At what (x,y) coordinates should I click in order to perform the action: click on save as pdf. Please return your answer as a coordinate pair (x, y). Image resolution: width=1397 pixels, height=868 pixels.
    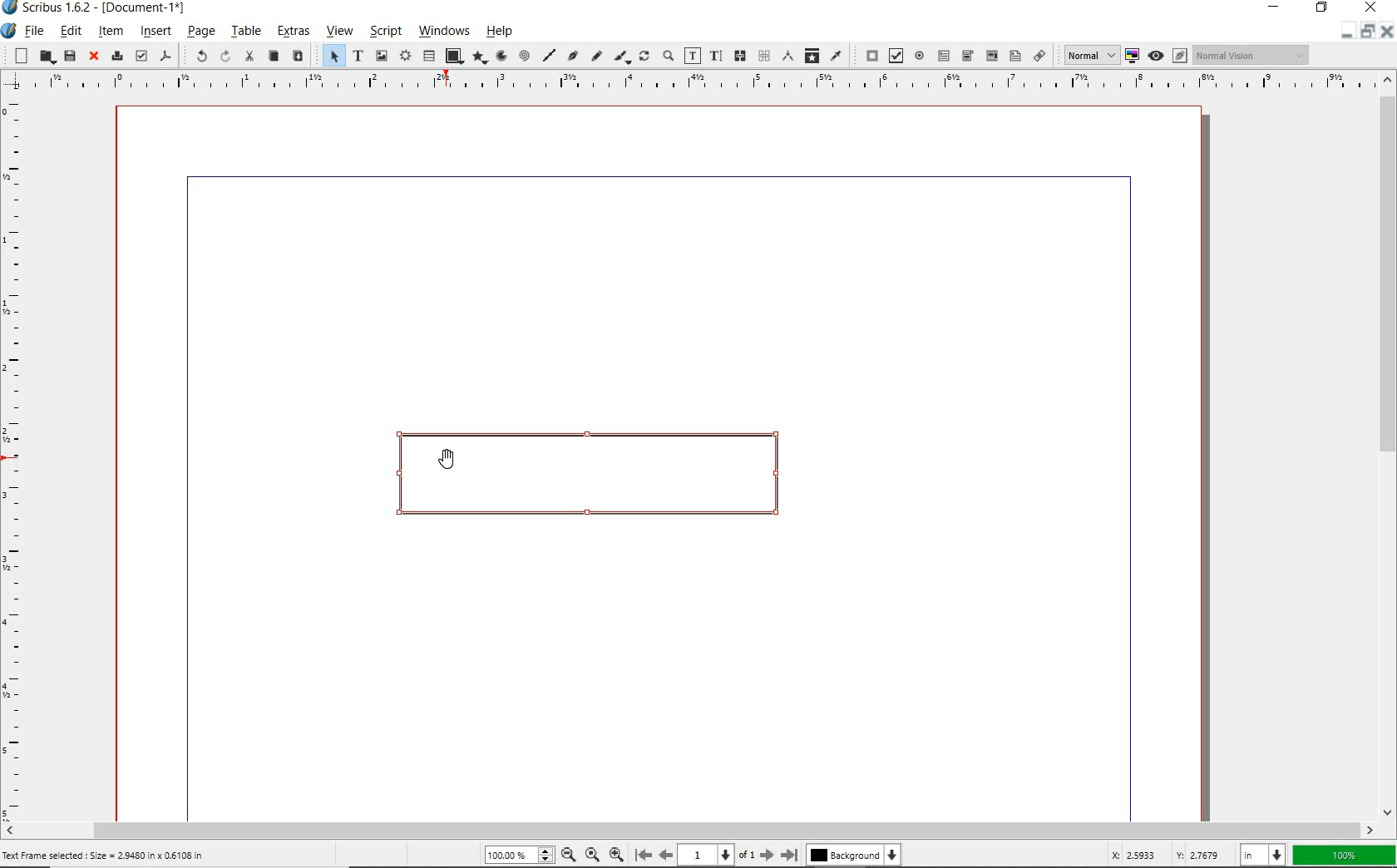
    Looking at the image, I should click on (166, 57).